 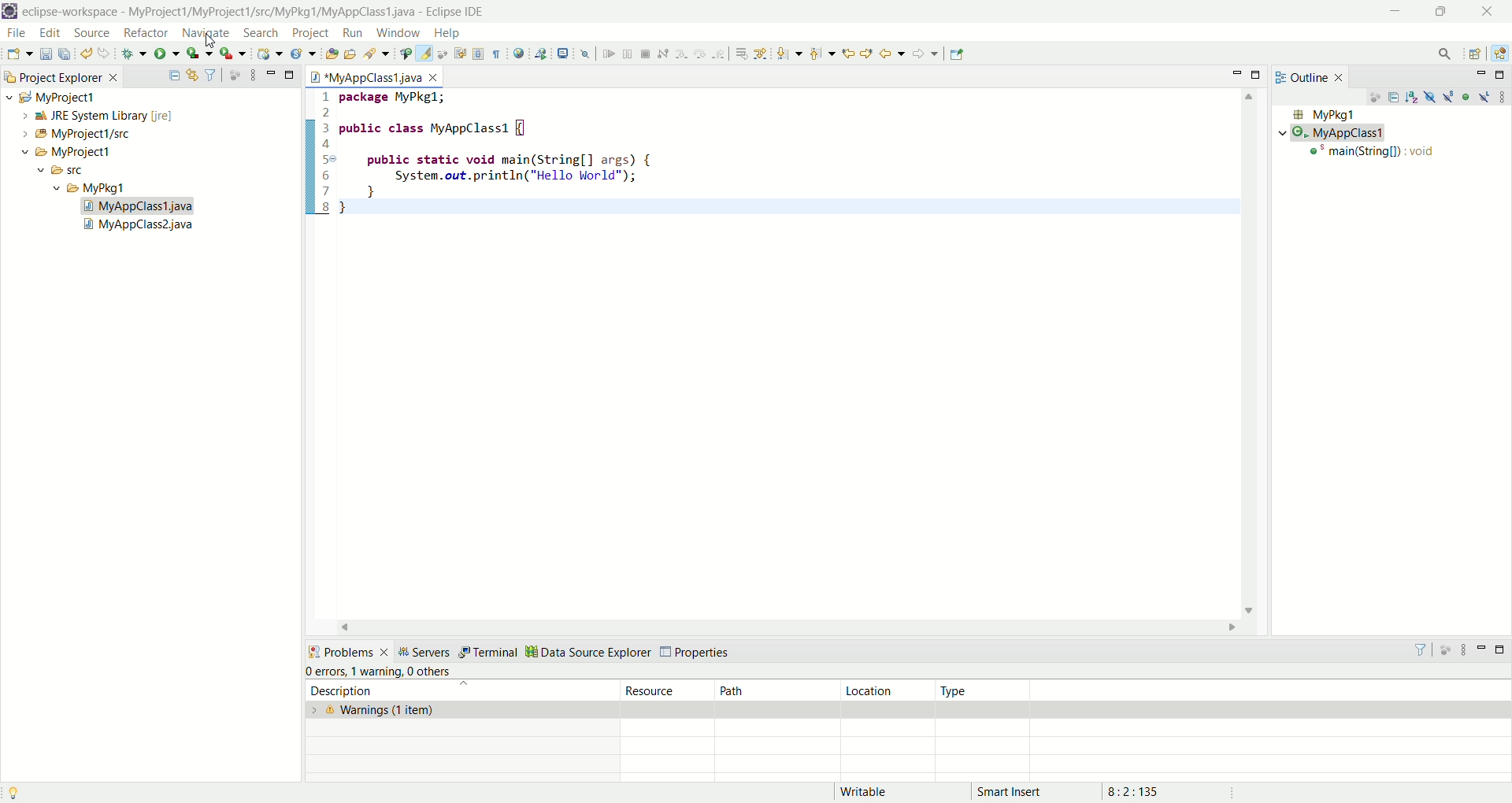 What do you see at coordinates (1480, 653) in the screenshot?
I see `minimize` at bounding box center [1480, 653].